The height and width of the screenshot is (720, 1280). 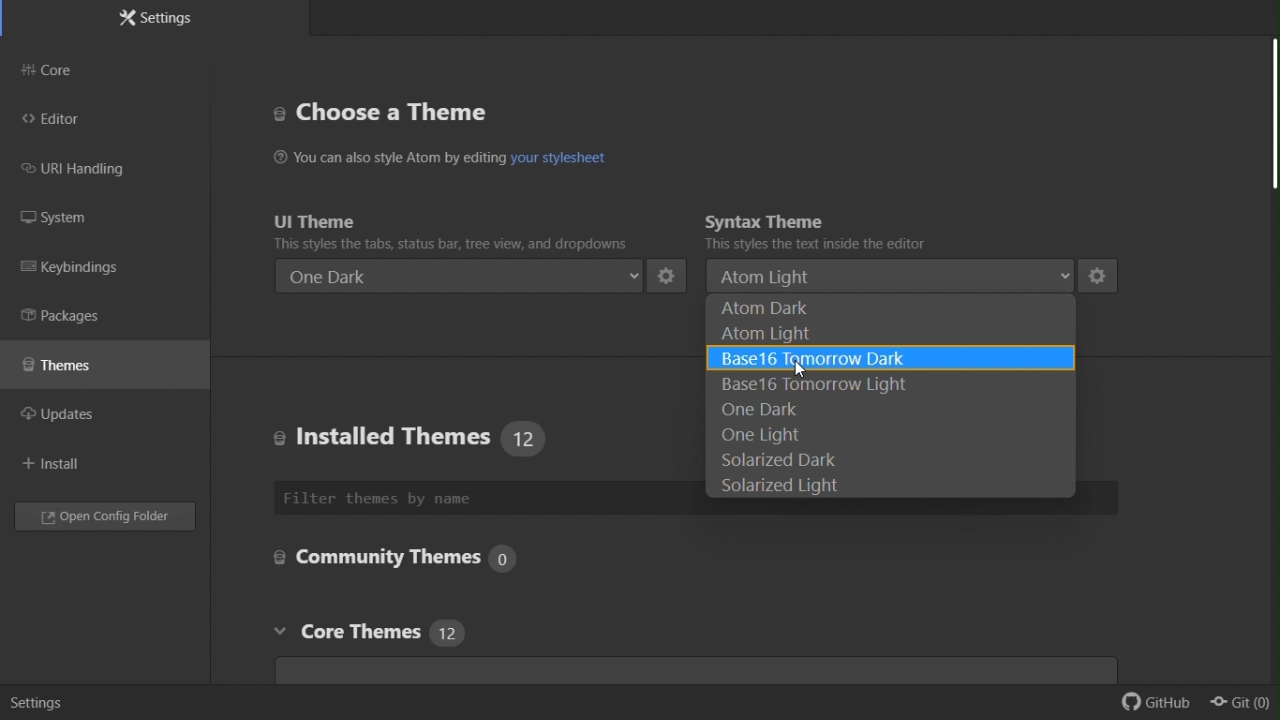 I want to click on System, so click(x=75, y=222).